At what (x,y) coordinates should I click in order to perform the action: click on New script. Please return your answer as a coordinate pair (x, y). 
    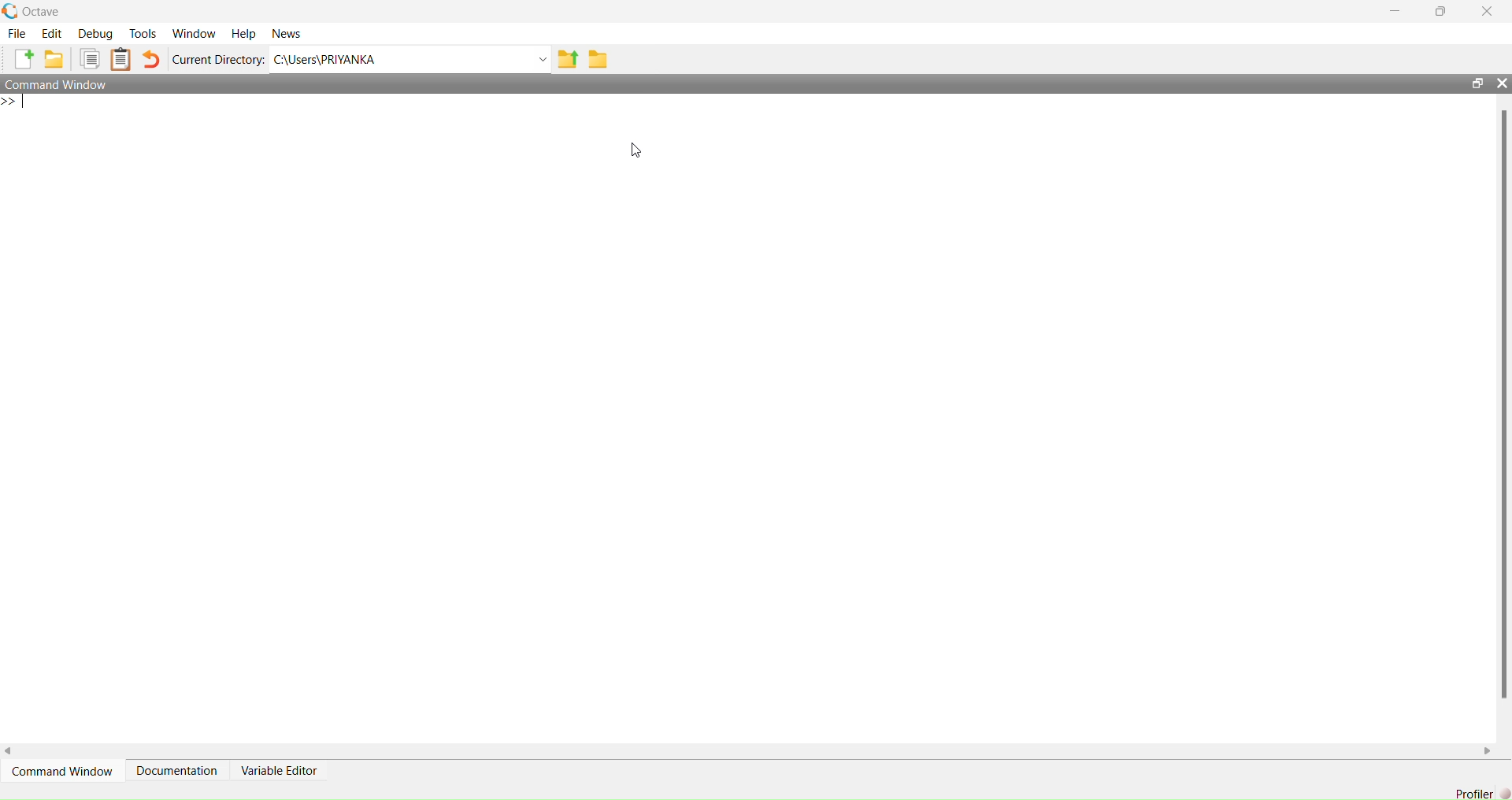
    Looking at the image, I should click on (22, 58).